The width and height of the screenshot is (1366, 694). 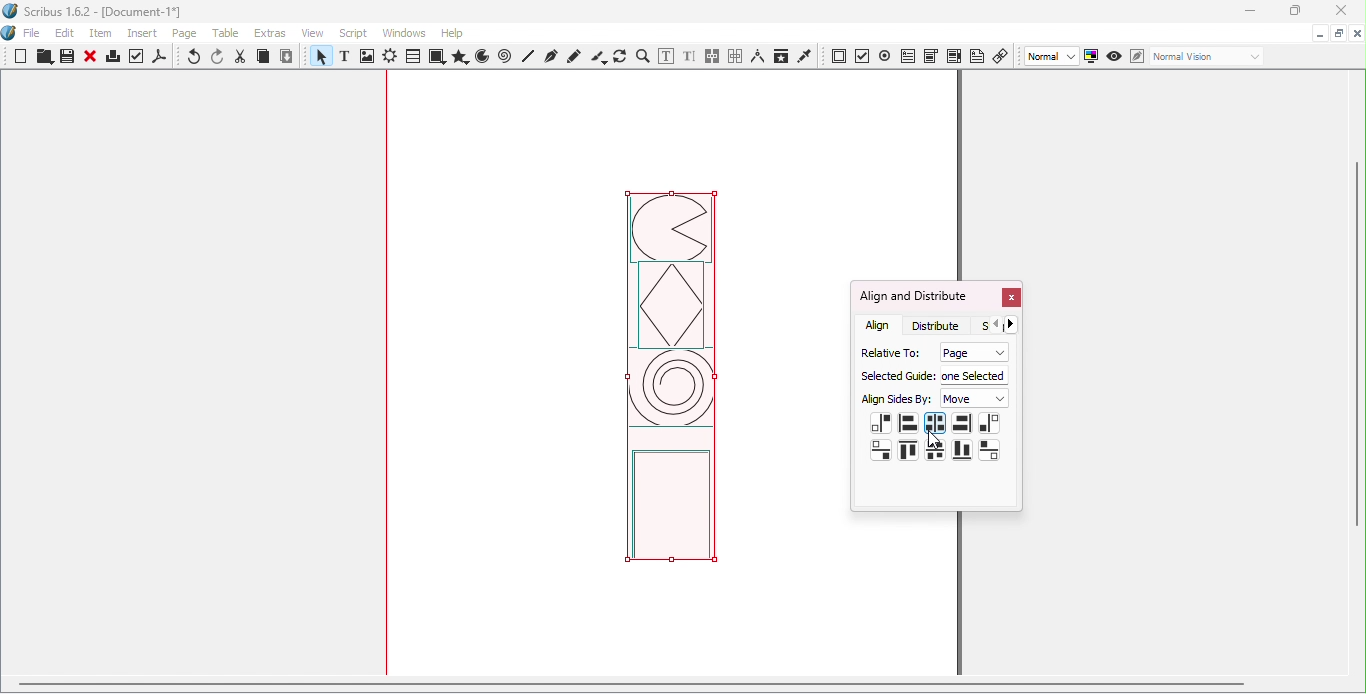 I want to click on Zoom in or out, so click(x=642, y=56).